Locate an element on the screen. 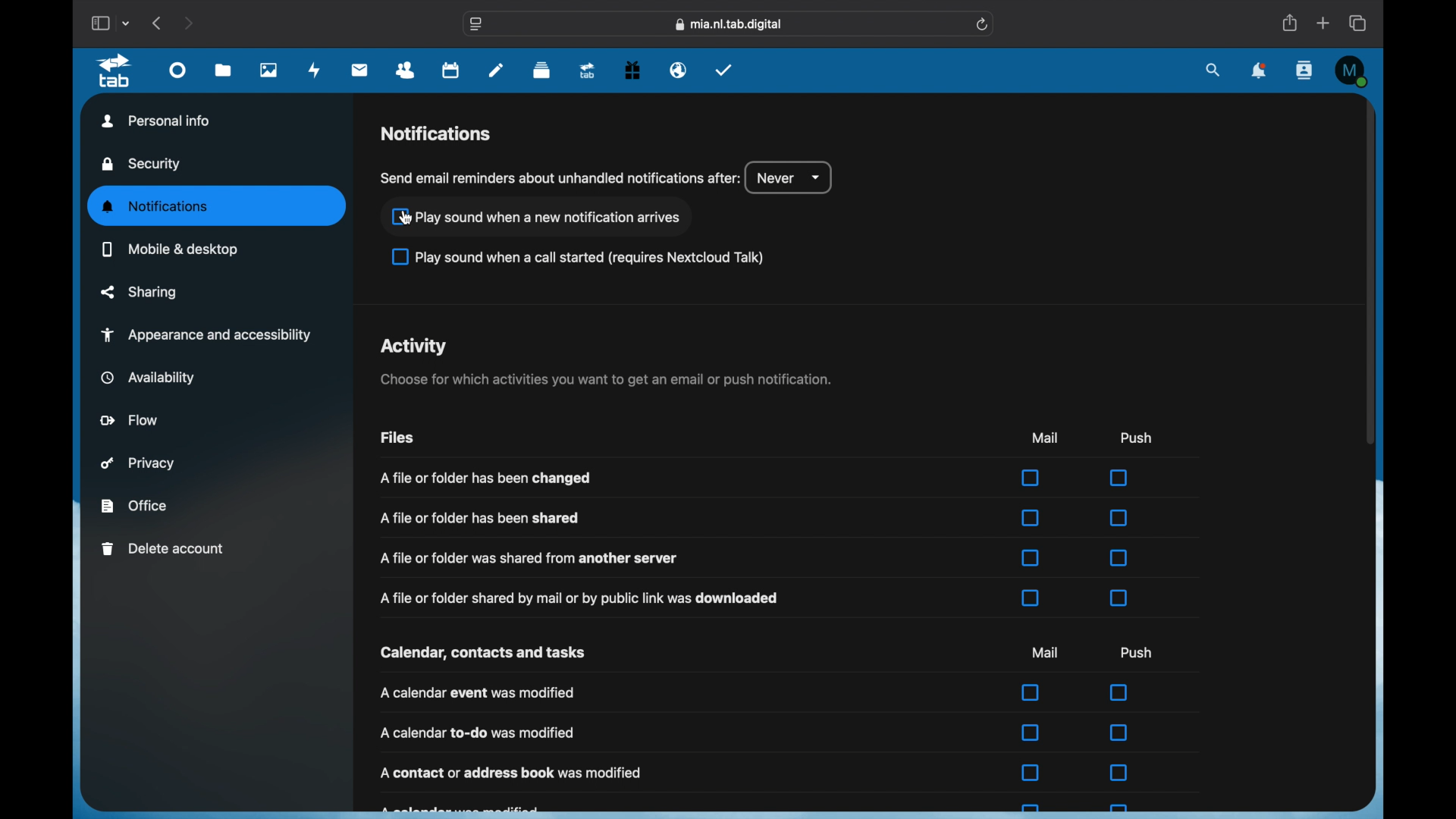 Image resolution: width=1456 pixels, height=819 pixels. free trial is located at coordinates (632, 70).